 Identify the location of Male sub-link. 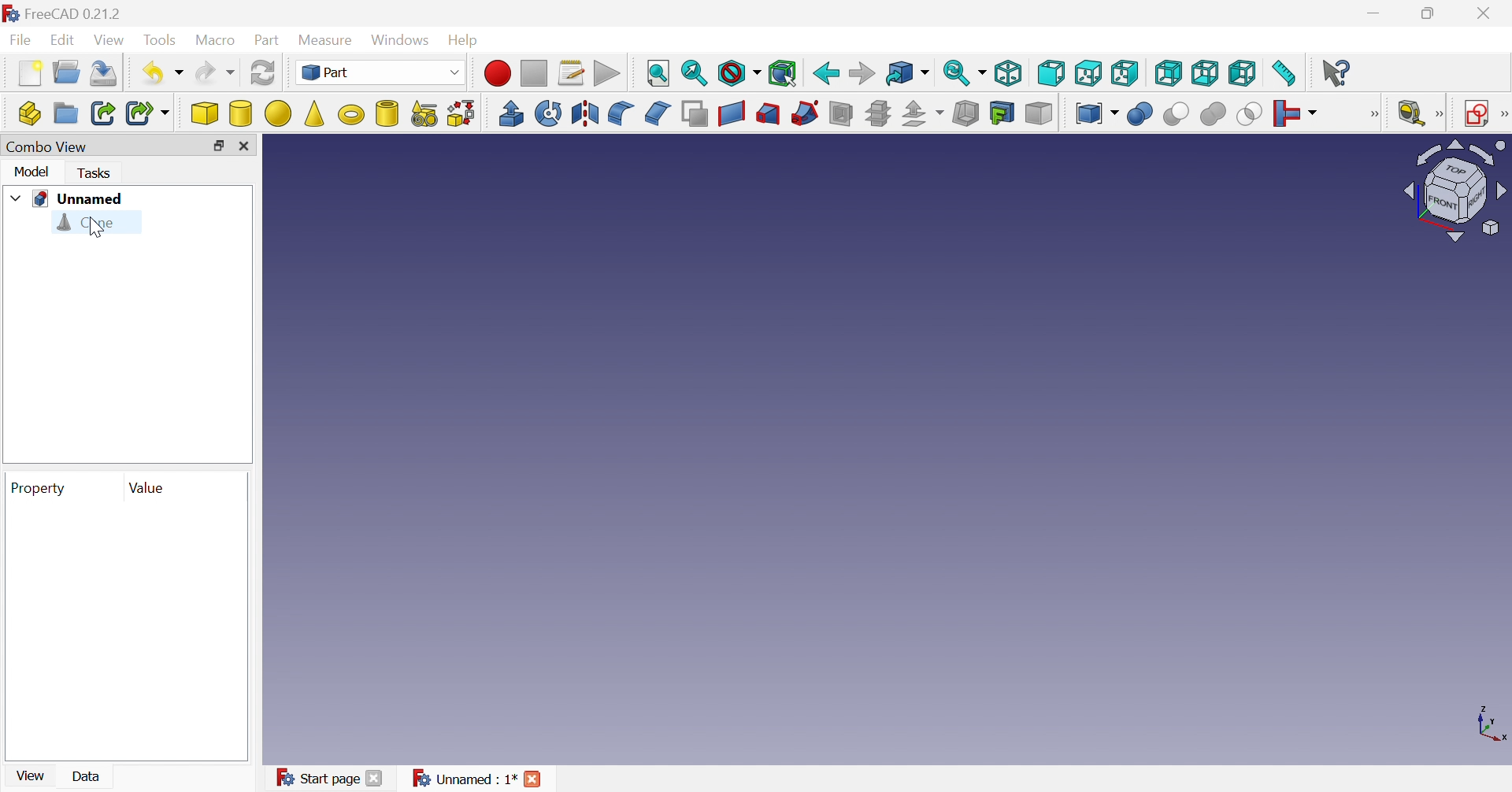
(149, 114).